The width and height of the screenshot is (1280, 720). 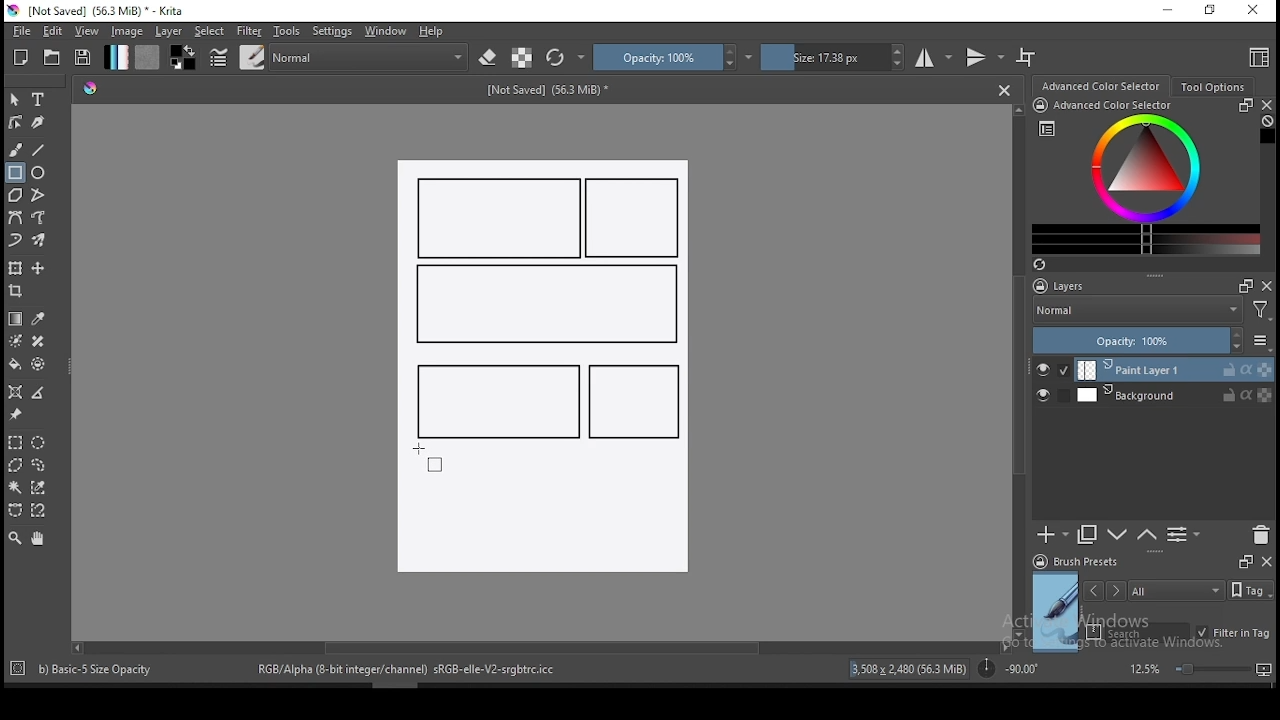 I want to click on filter, so click(x=248, y=31).